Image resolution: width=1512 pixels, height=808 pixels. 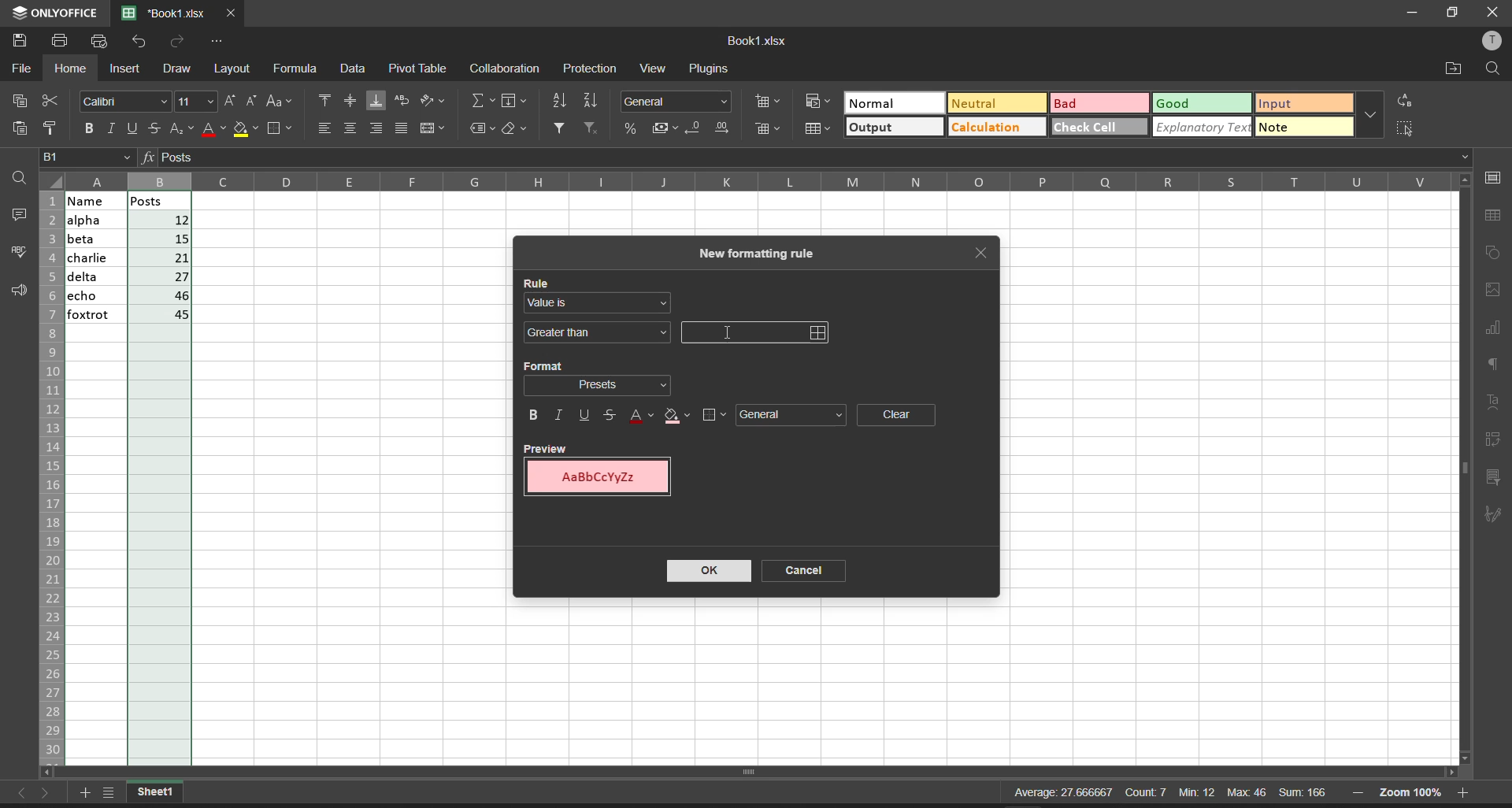 What do you see at coordinates (14, 791) in the screenshot?
I see `move to the sheet left` at bounding box center [14, 791].